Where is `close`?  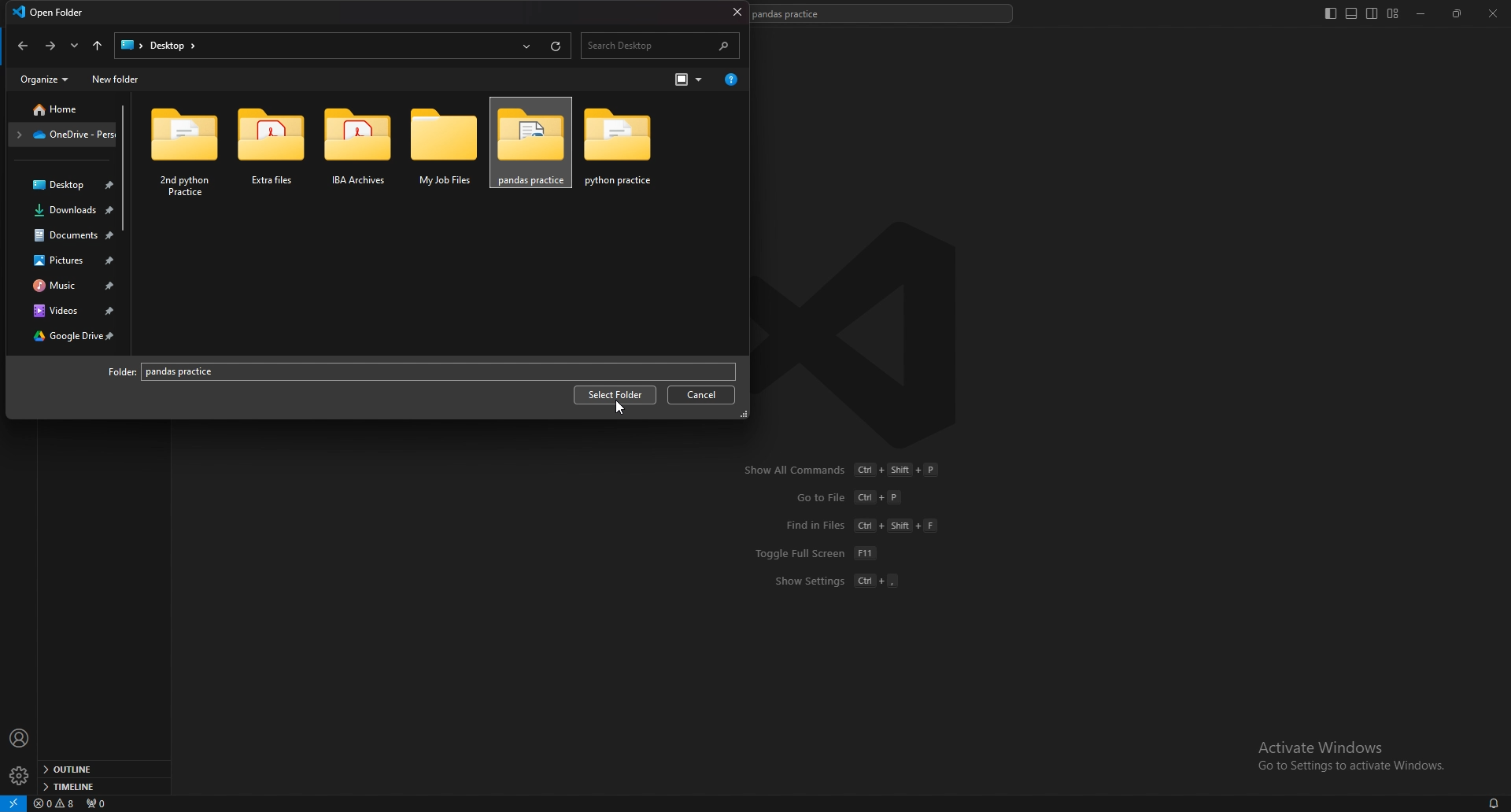 close is located at coordinates (1493, 13).